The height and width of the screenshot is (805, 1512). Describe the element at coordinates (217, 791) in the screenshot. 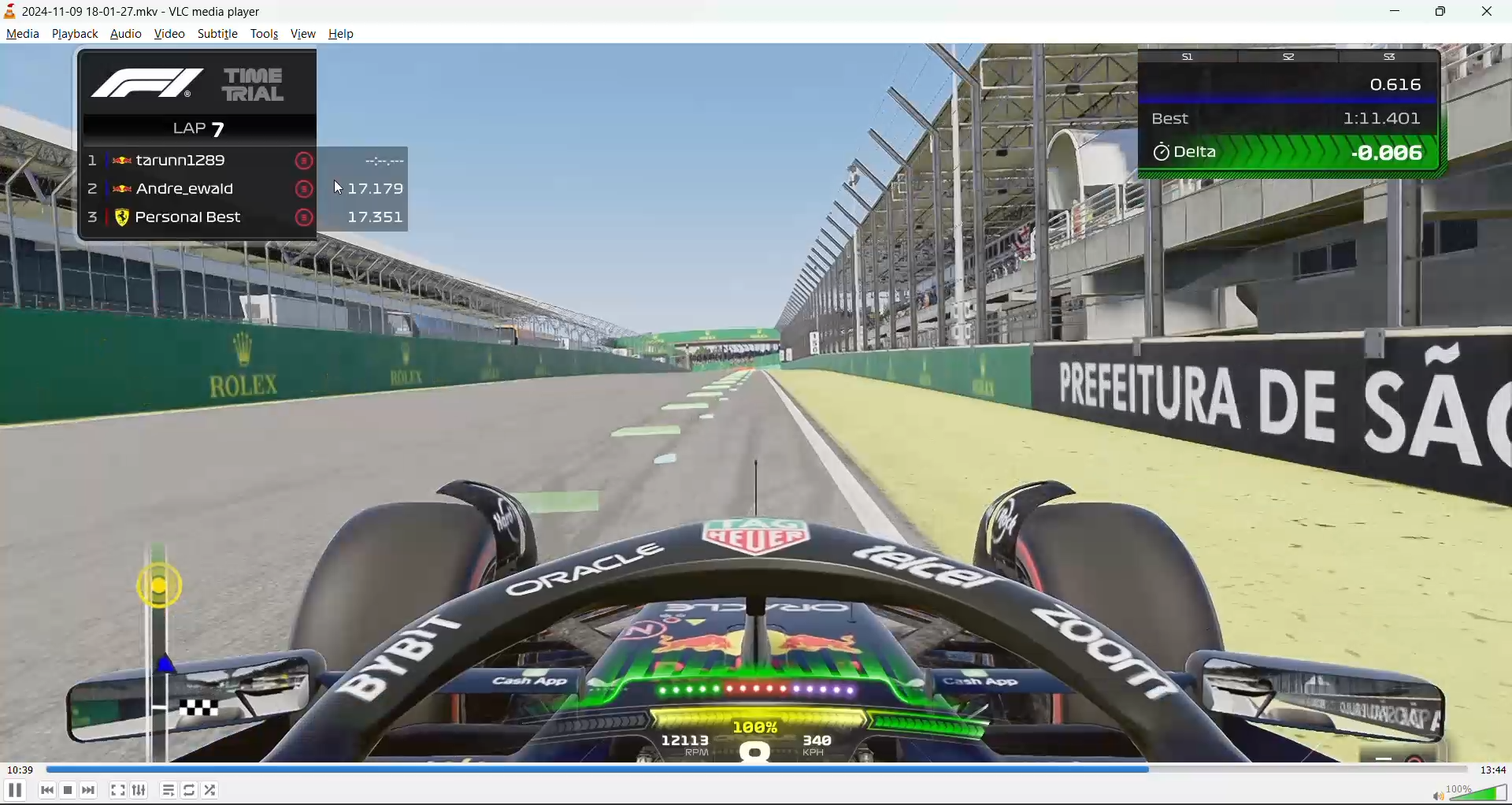

I see `random` at that location.